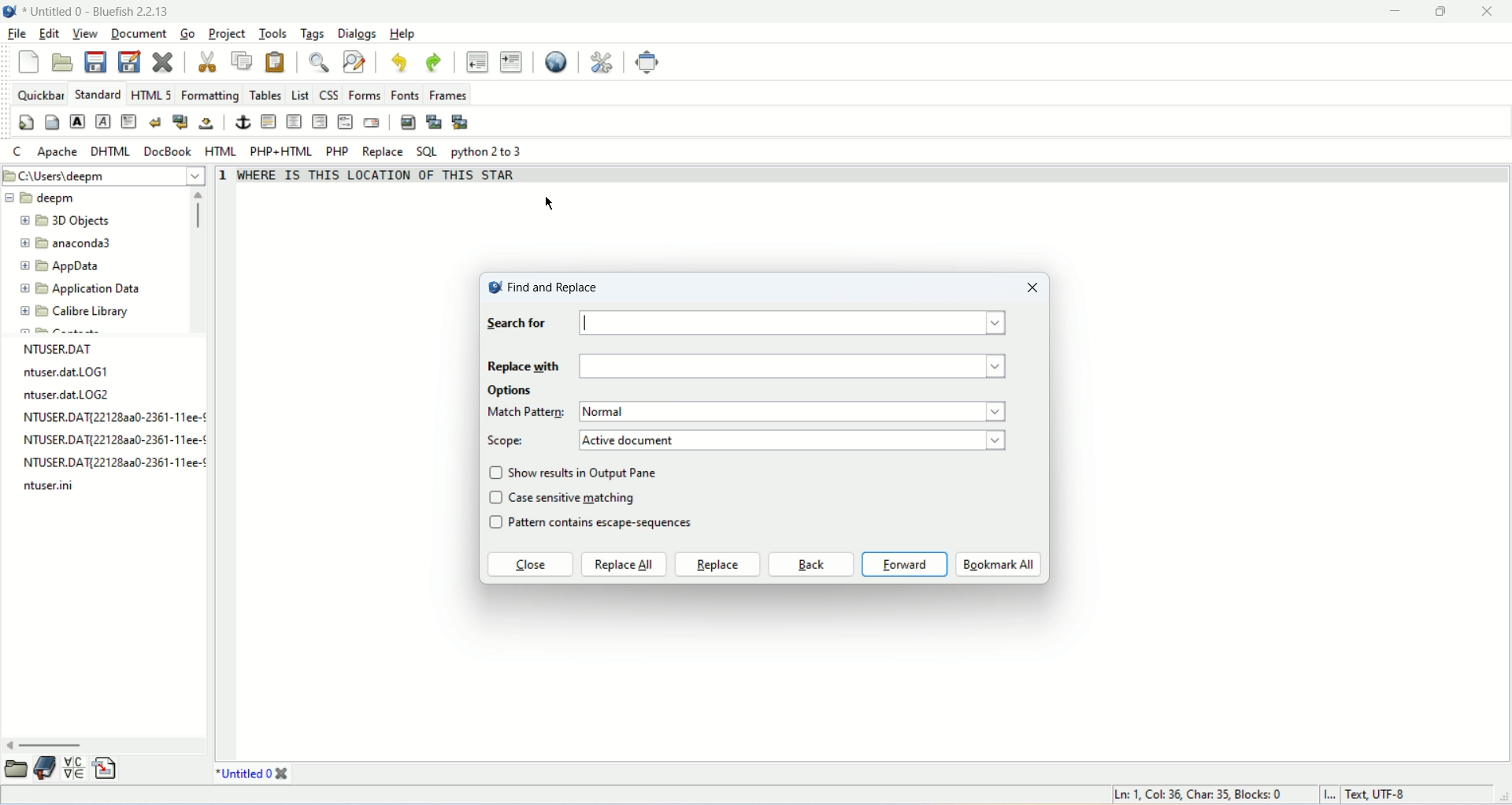  What do you see at coordinates (26, 123) in the screenshot?
I see `quick settings` at bounding box center [26, 123].